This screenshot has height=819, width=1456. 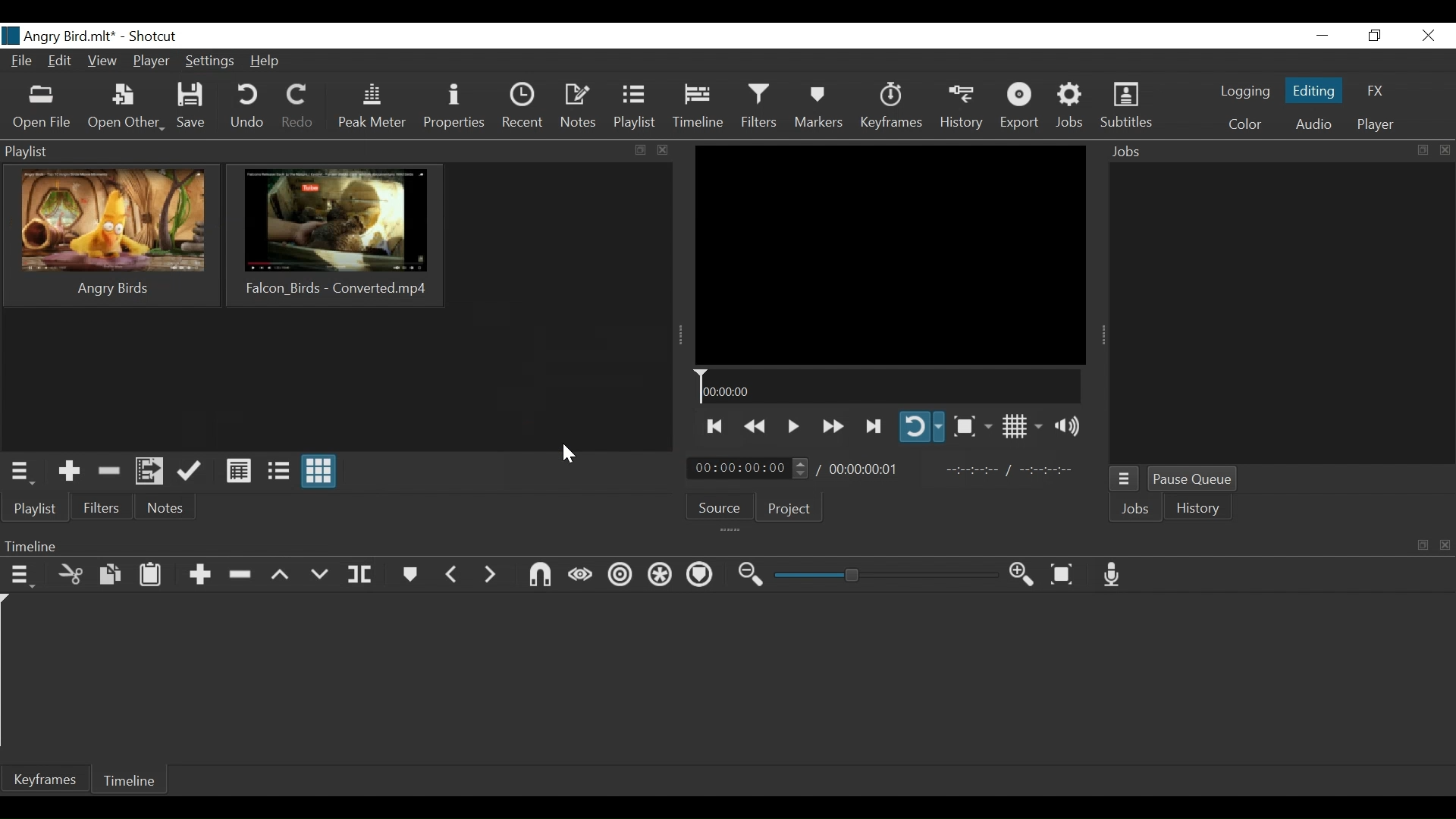 I want to click on Scrub while dragging, so click(x=581, y=576).